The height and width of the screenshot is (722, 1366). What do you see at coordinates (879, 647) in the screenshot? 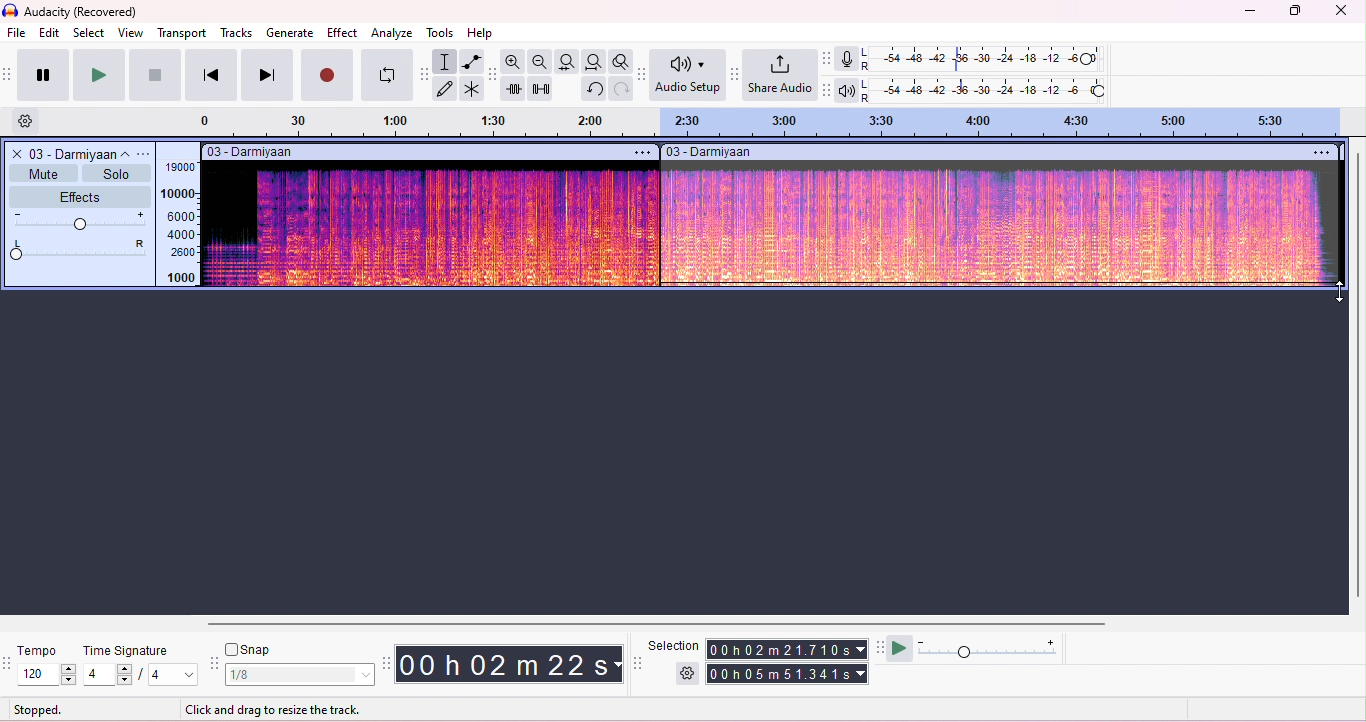
I see `play at speed tool bar` at bounding box center [879, 647].